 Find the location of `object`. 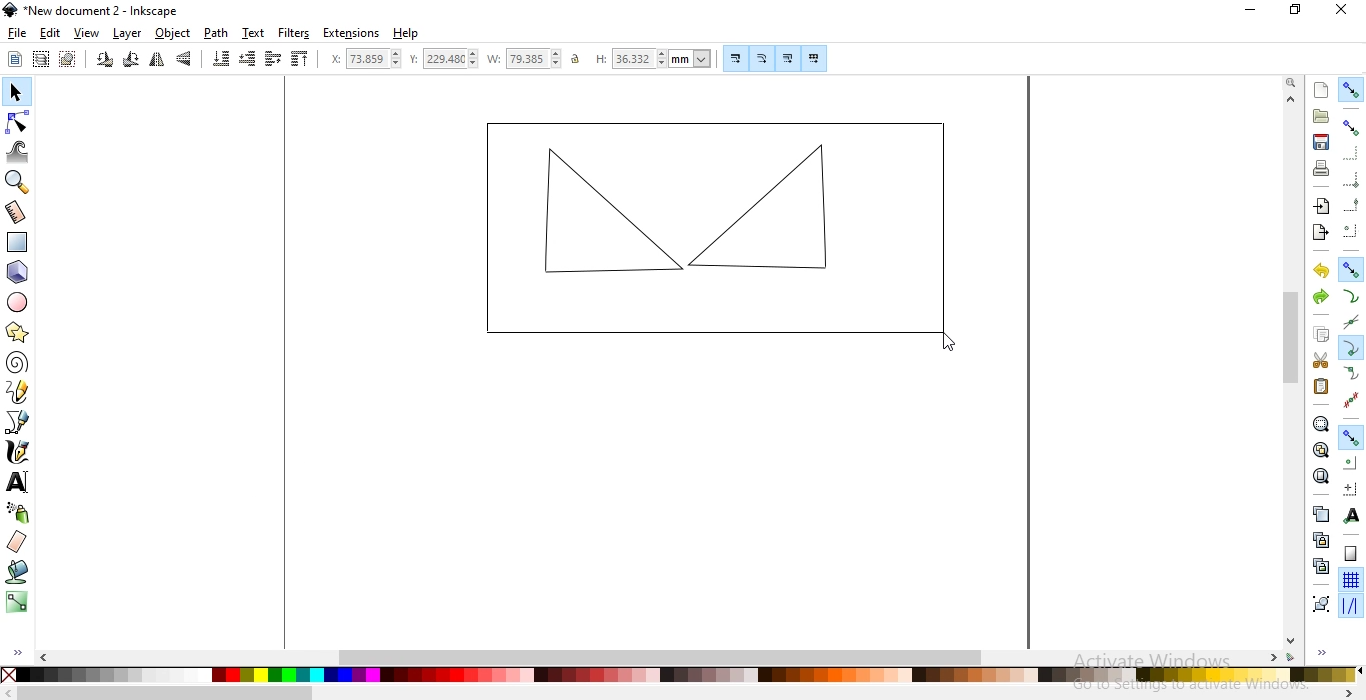

object is located at coordinates (172, 34).